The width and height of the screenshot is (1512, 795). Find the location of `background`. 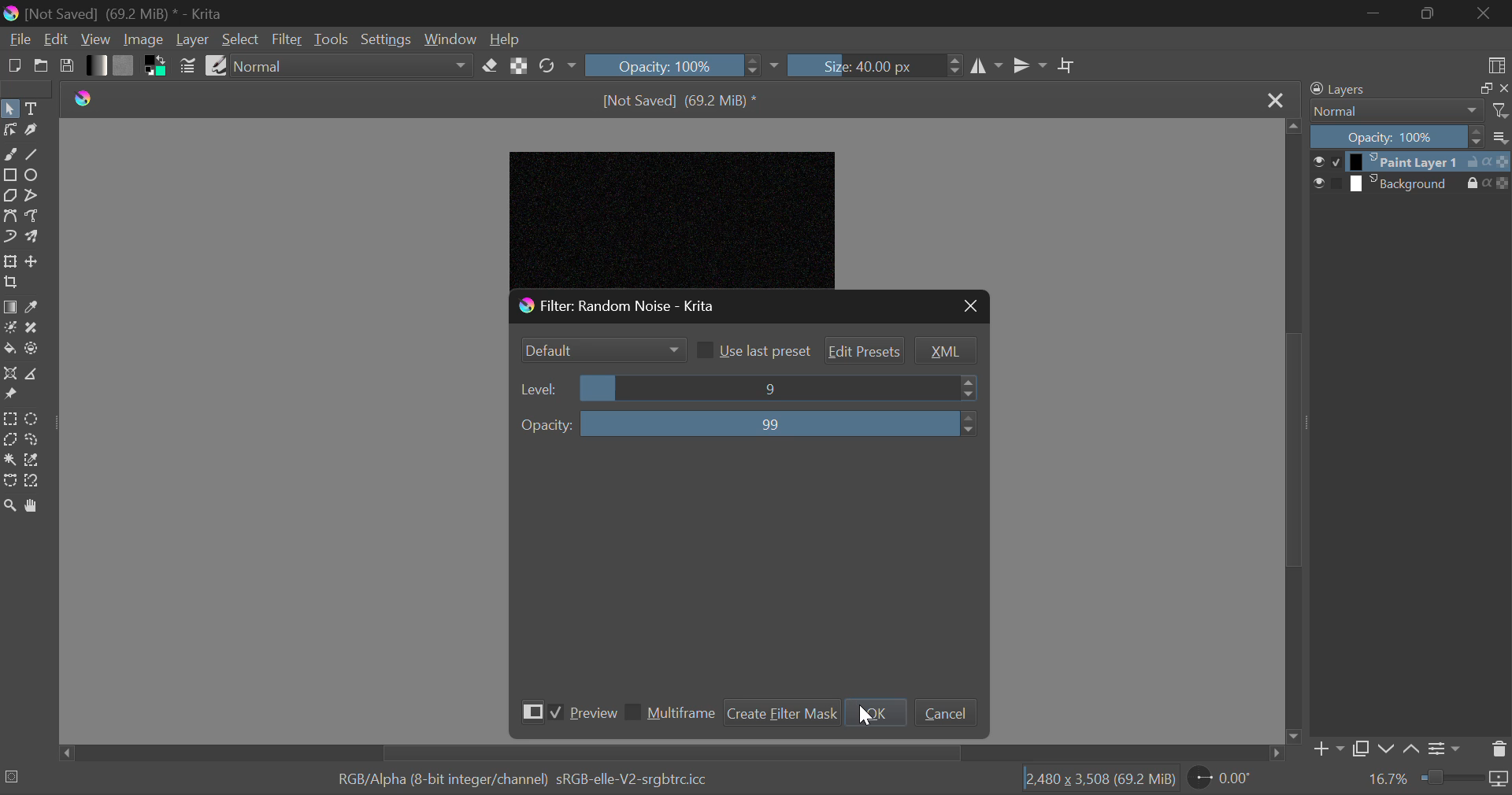

background is located at coordinates (1401, 183).